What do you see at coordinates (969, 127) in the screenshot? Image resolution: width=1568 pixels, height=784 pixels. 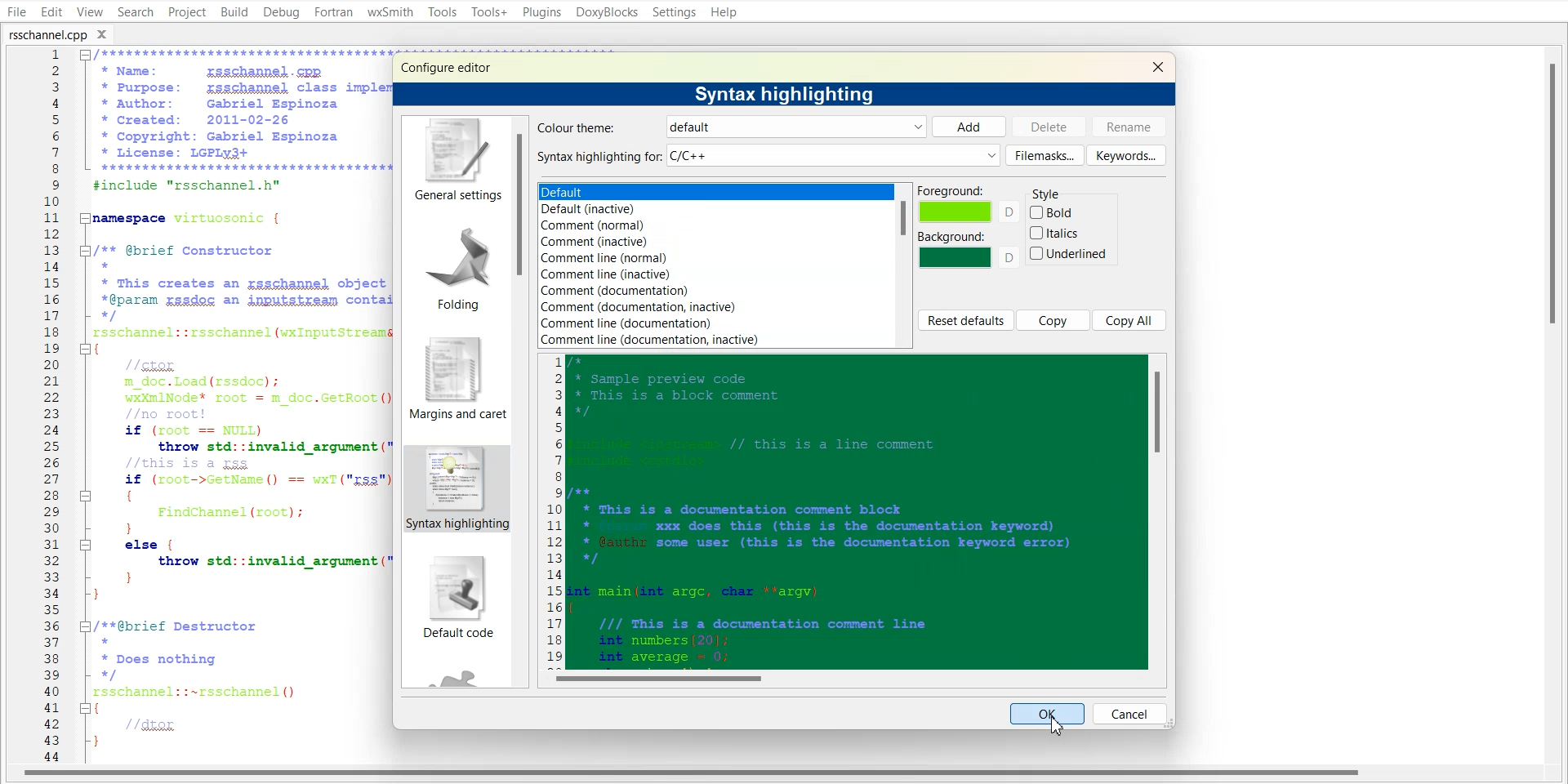 I see `Add` at bounding box center [969, 127].